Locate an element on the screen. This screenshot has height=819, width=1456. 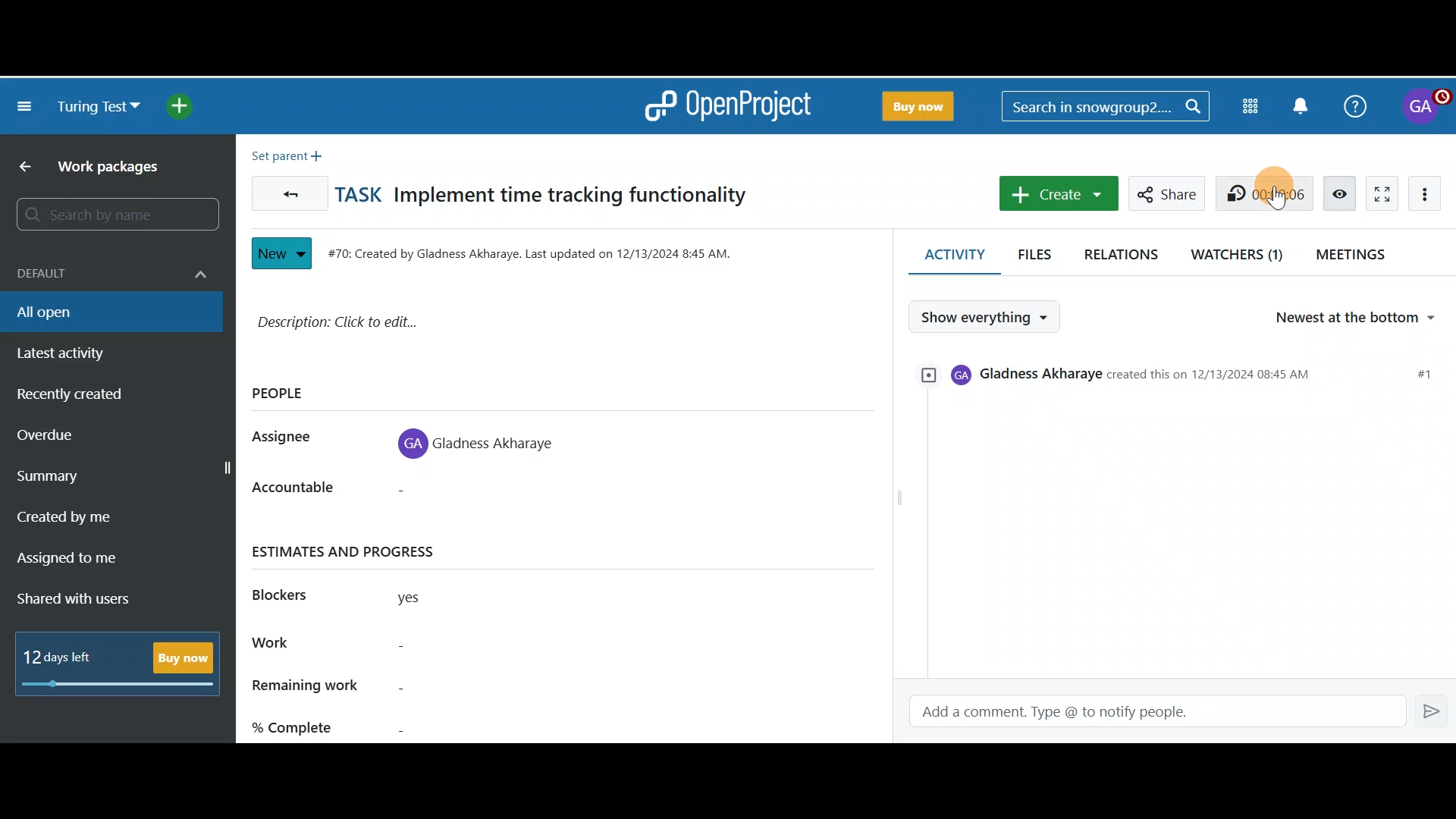
PEOPLE is located at coordinates (288, 394).